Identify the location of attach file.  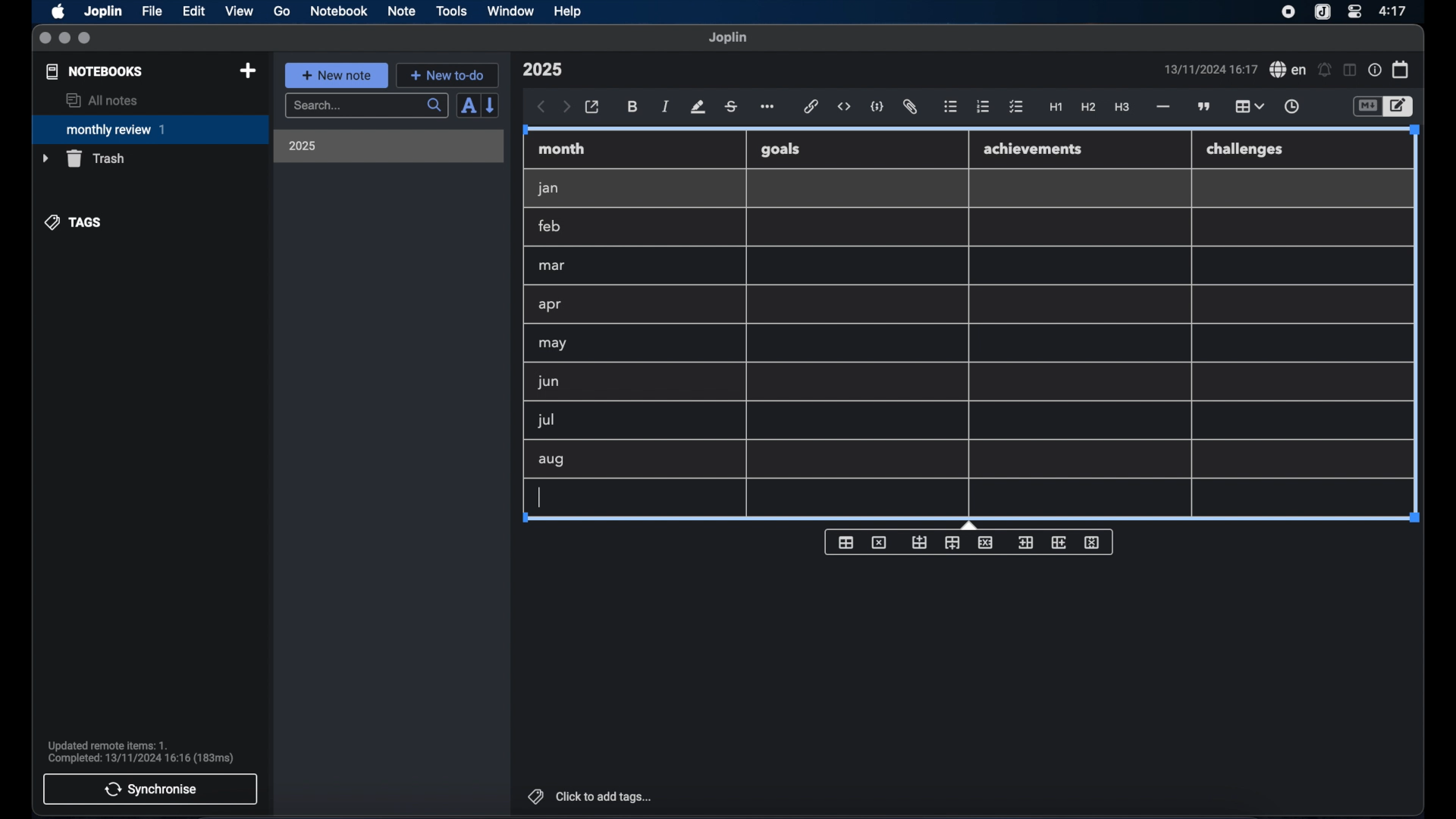
(910, 107).